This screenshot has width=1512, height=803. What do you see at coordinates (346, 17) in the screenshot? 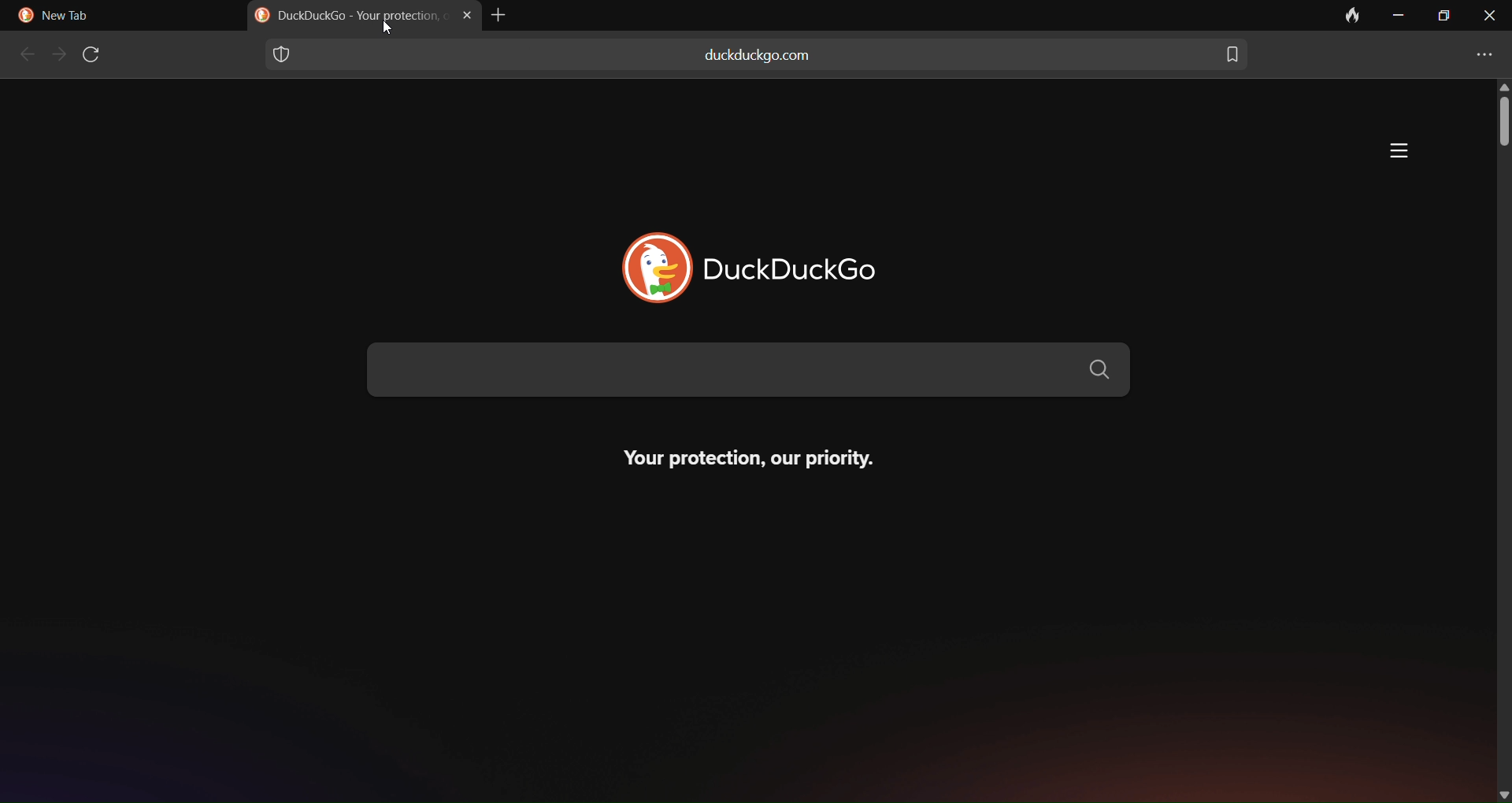
I see `DuckDuckGo - your protection` at bounding box center [346, 17].